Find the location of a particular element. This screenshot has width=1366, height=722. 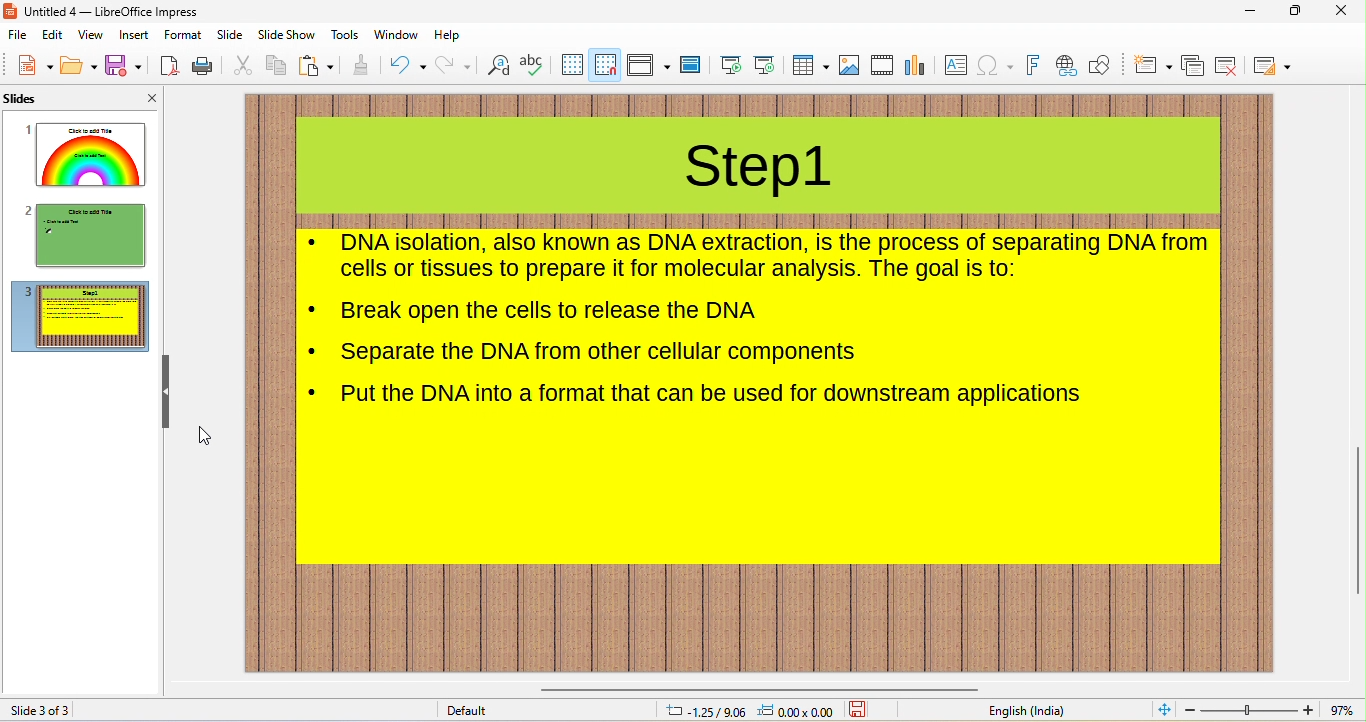

slides is located at coordinates (46, 100).